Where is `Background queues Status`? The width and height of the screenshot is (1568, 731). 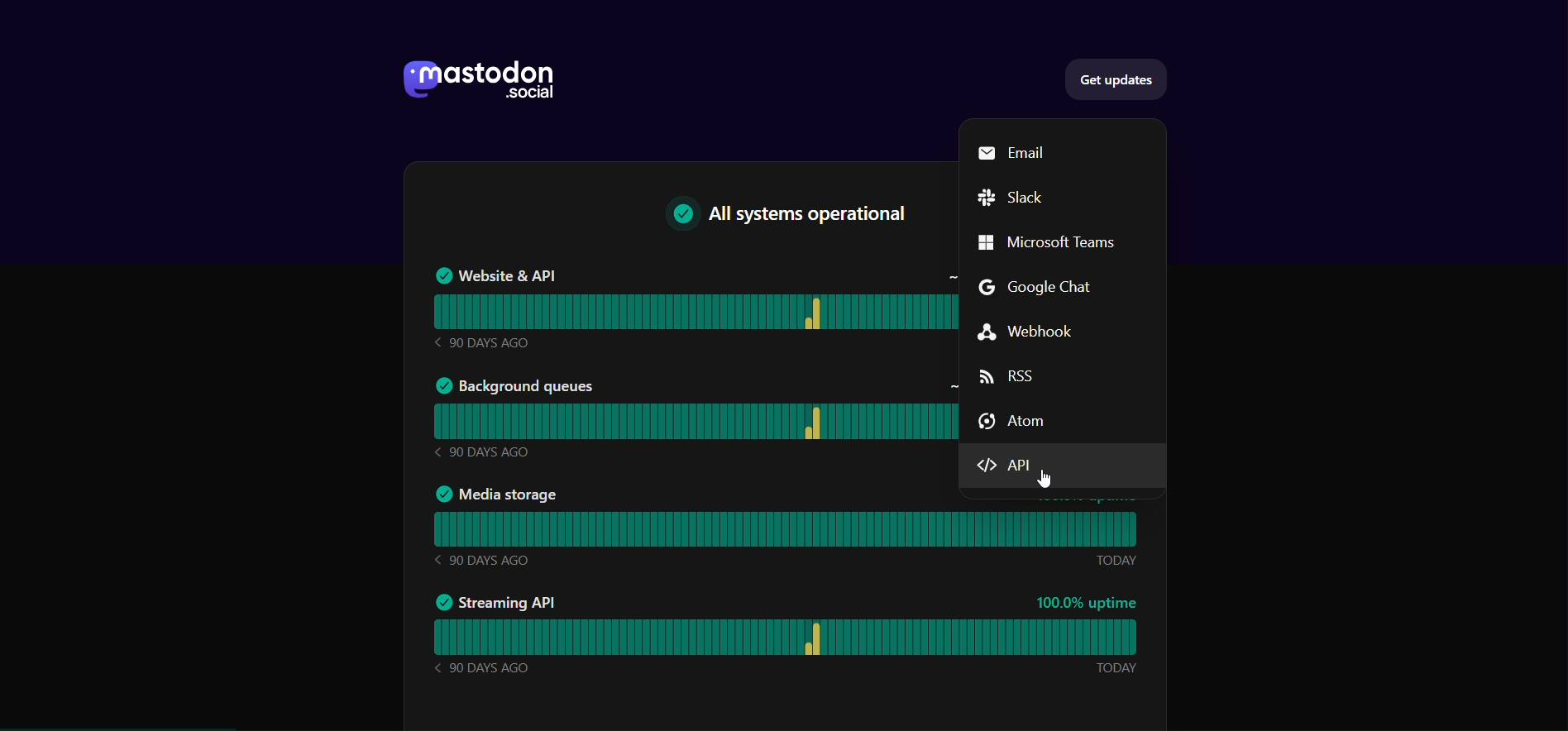
Background queues Status is located at coordinates (691, 422).